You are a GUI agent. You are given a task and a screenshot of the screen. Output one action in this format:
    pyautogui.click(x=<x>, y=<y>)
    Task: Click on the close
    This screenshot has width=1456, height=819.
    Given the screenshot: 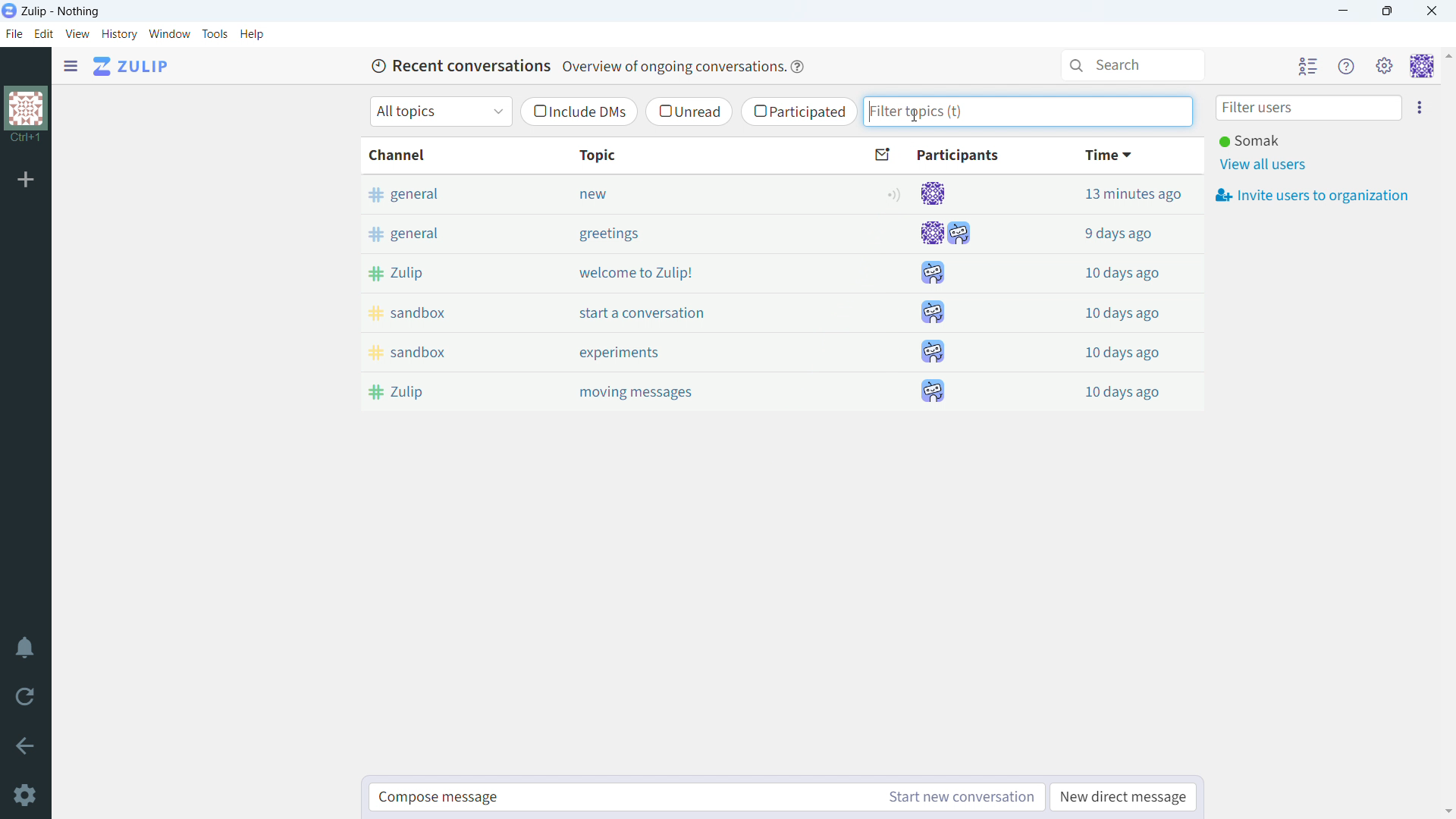 What is the action you would take?
    pyautogui.click(x=1430, y=11)
    